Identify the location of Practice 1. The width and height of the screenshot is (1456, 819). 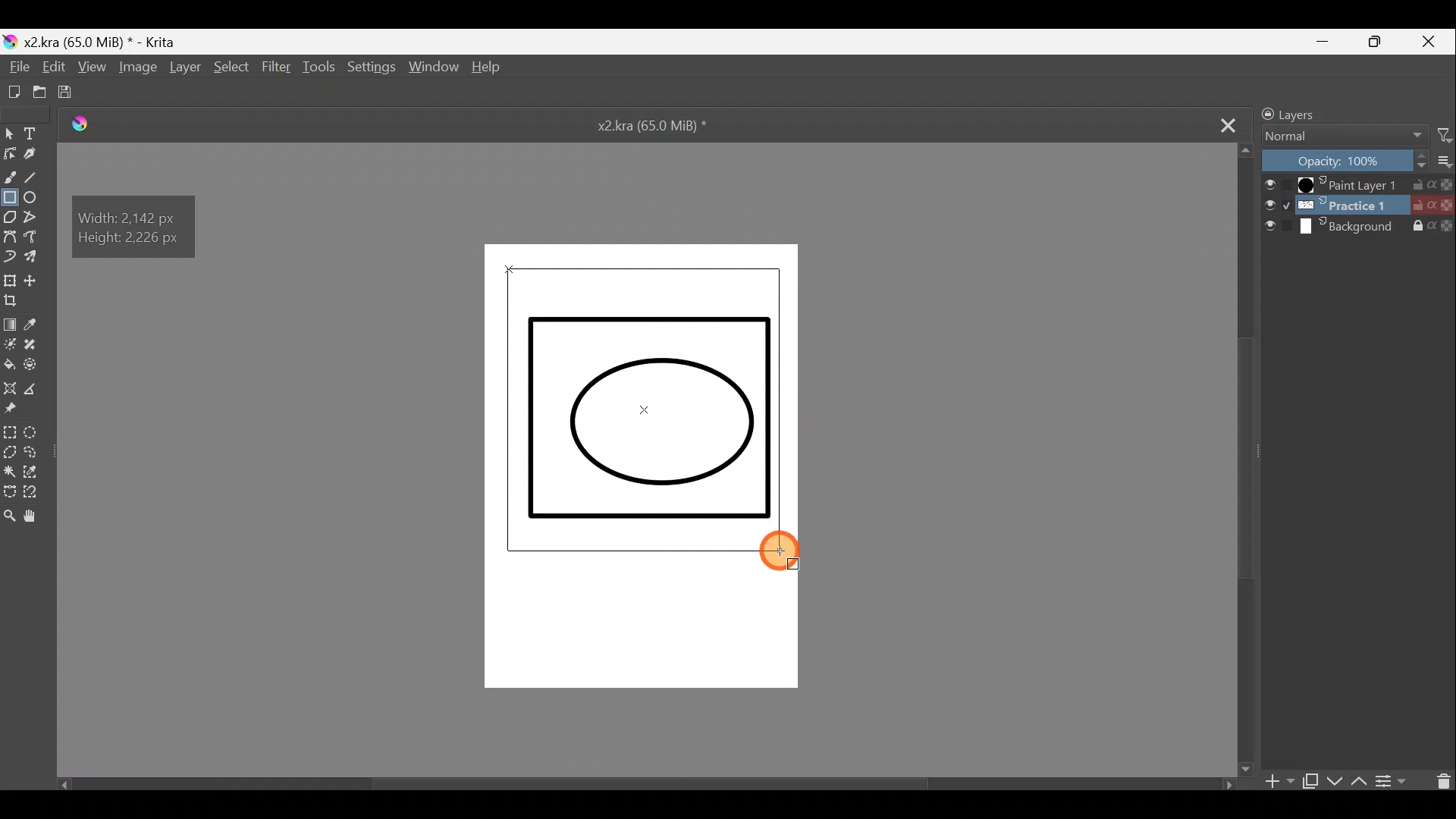
(1359, 207).